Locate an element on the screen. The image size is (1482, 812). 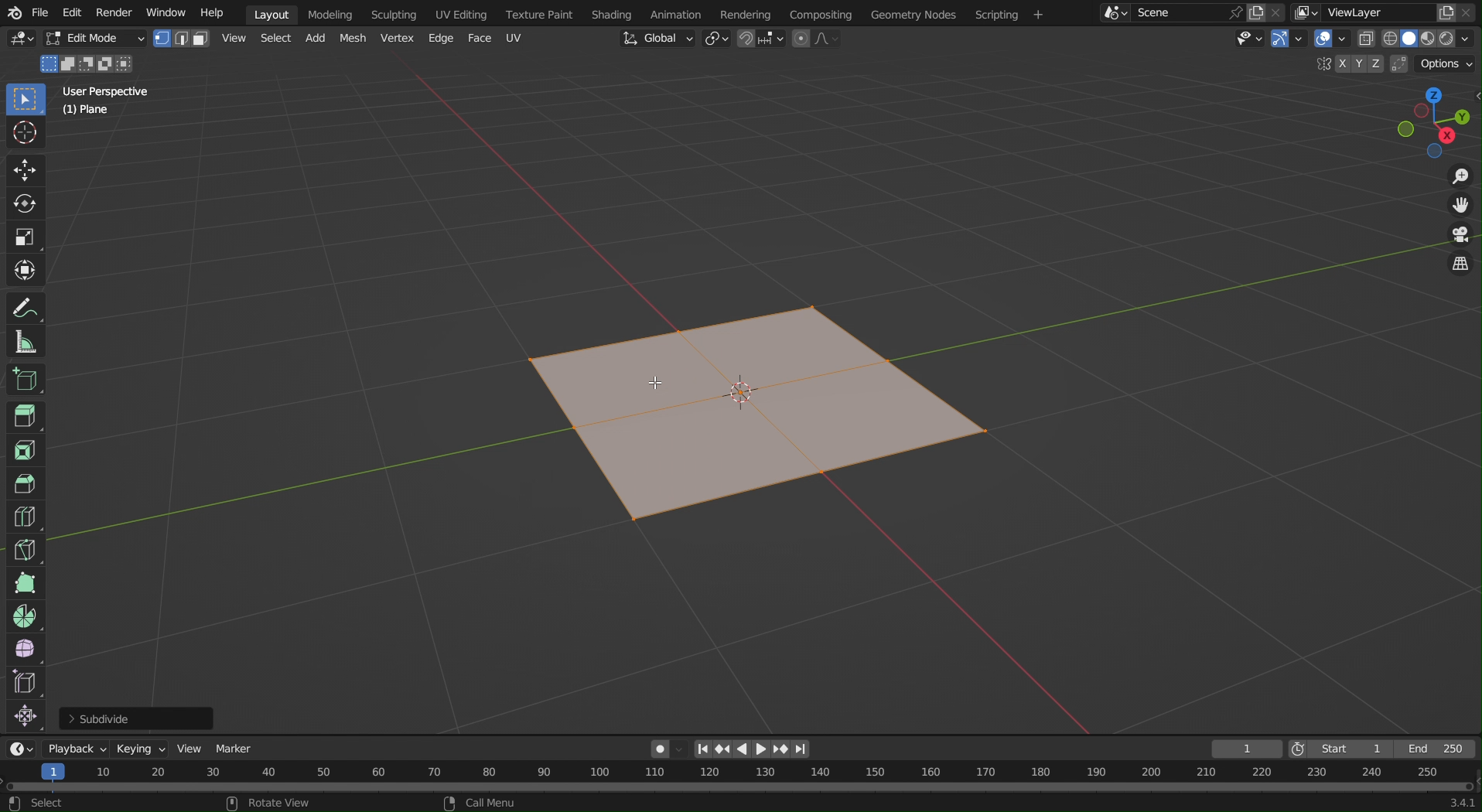
Subdivide is located at coordinates (138, 718).